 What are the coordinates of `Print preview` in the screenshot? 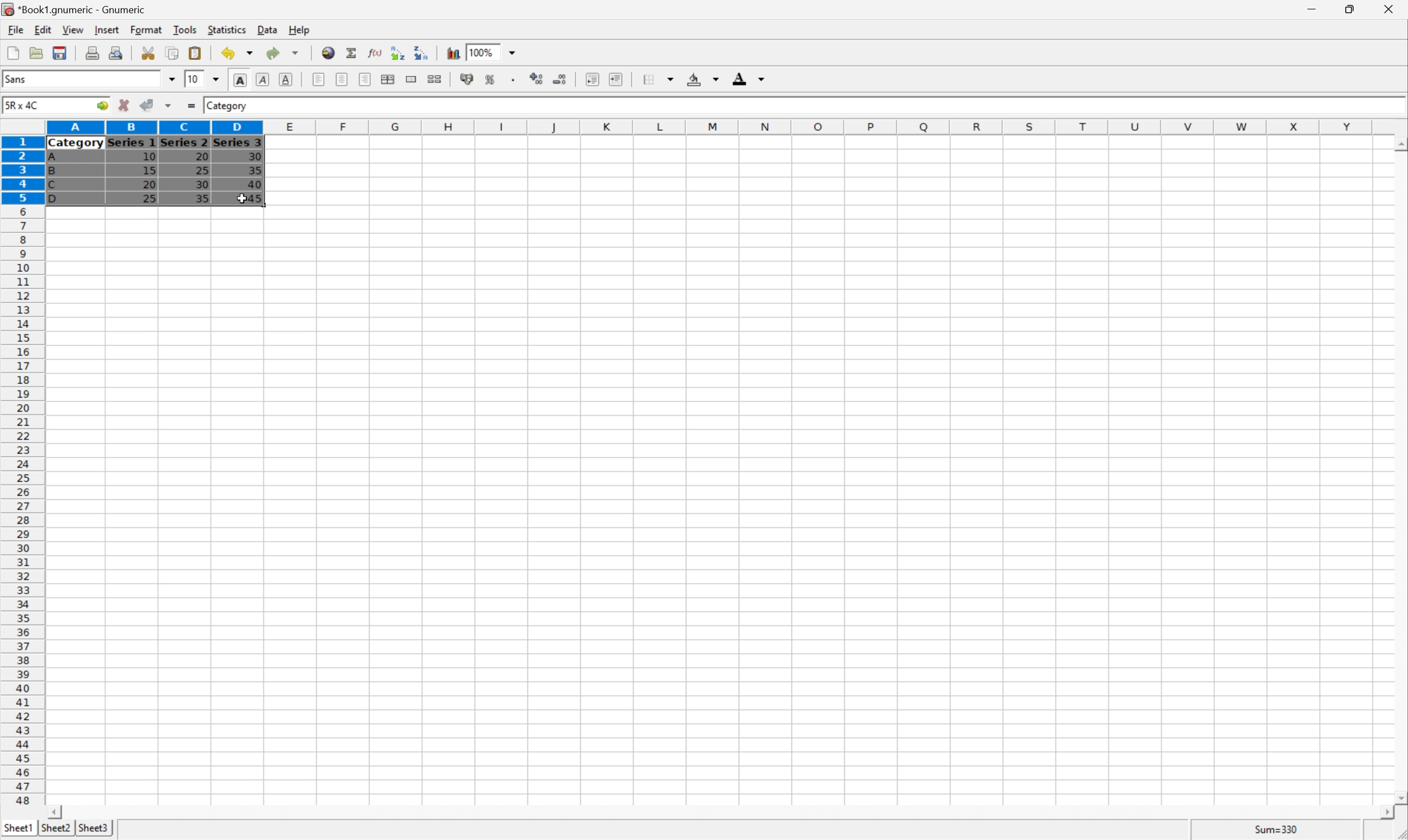 It's located at (117, 53).